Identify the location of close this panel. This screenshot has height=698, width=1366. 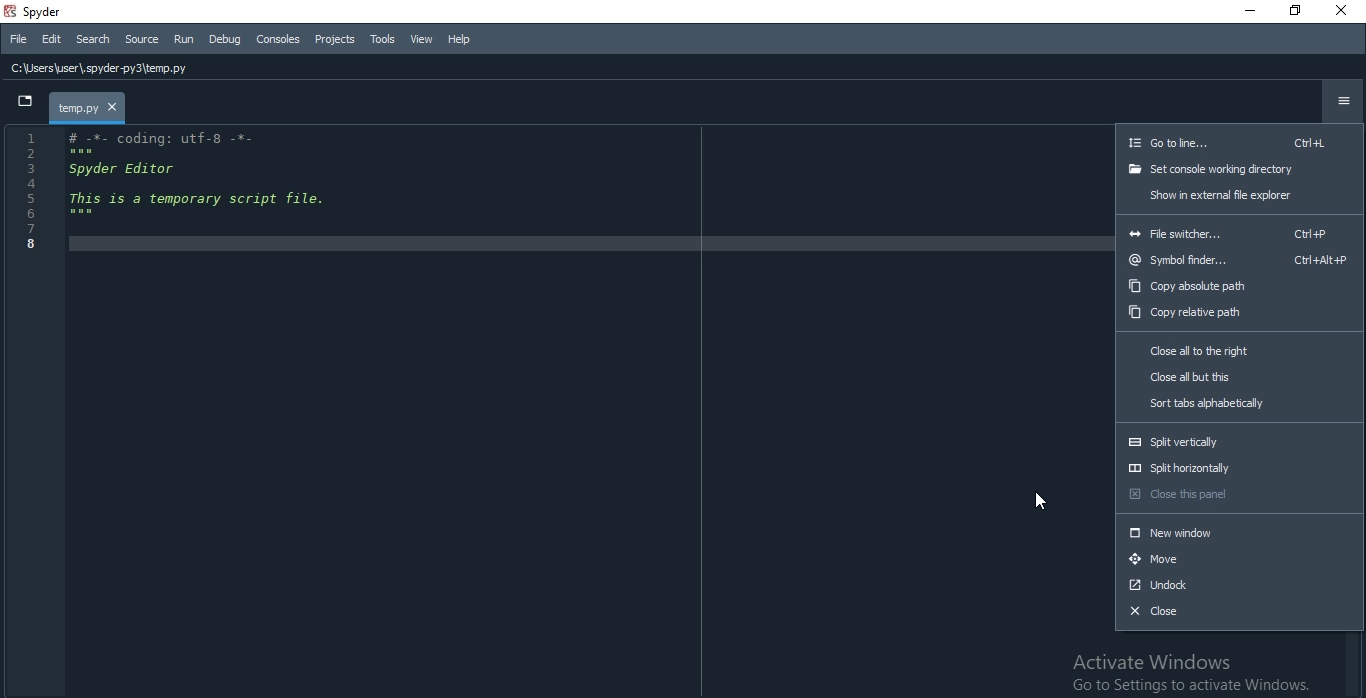
(1237, 498).